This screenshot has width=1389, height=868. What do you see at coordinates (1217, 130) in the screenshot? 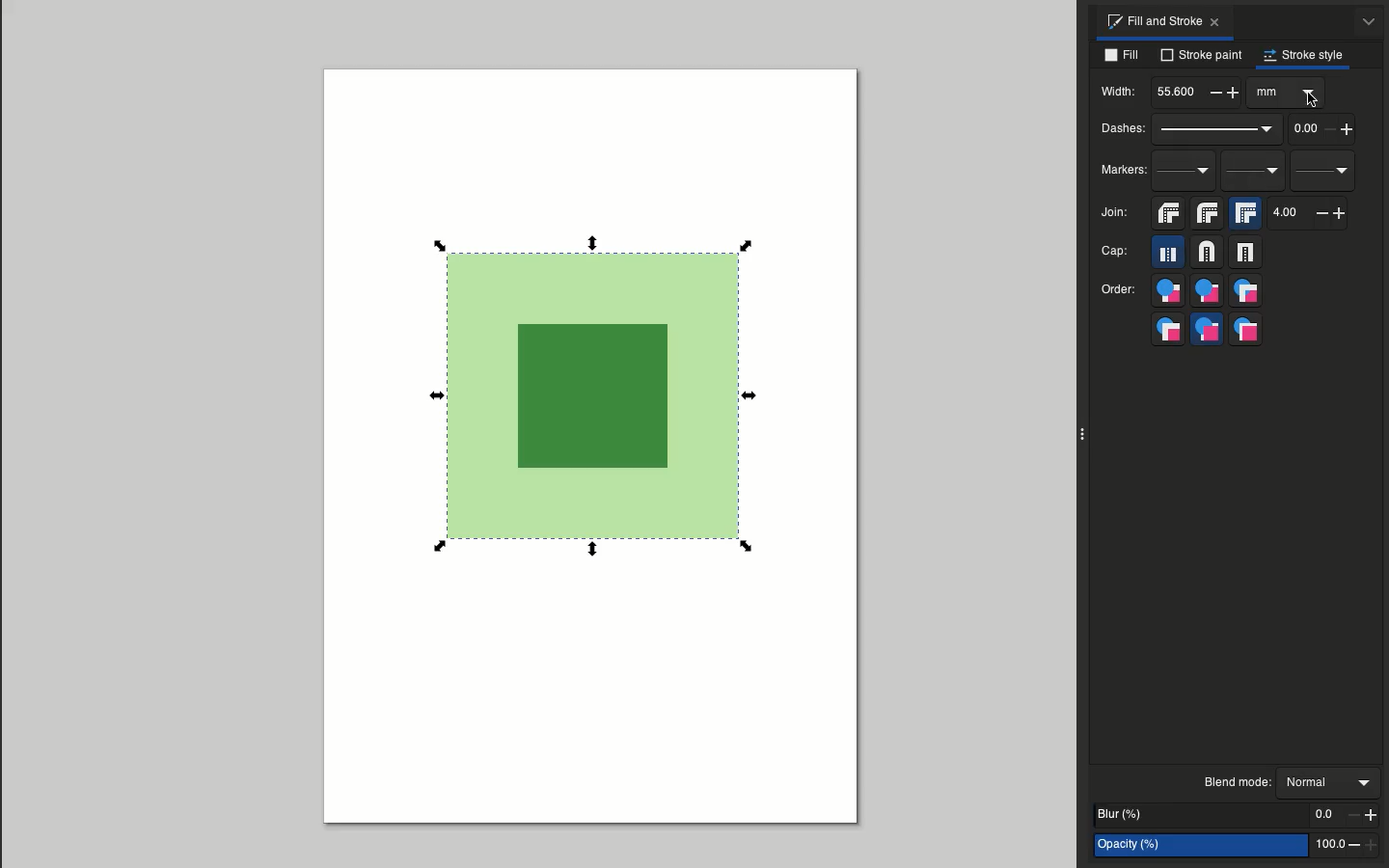
I see `Dash pattern` at bounding box center [1217, 130].